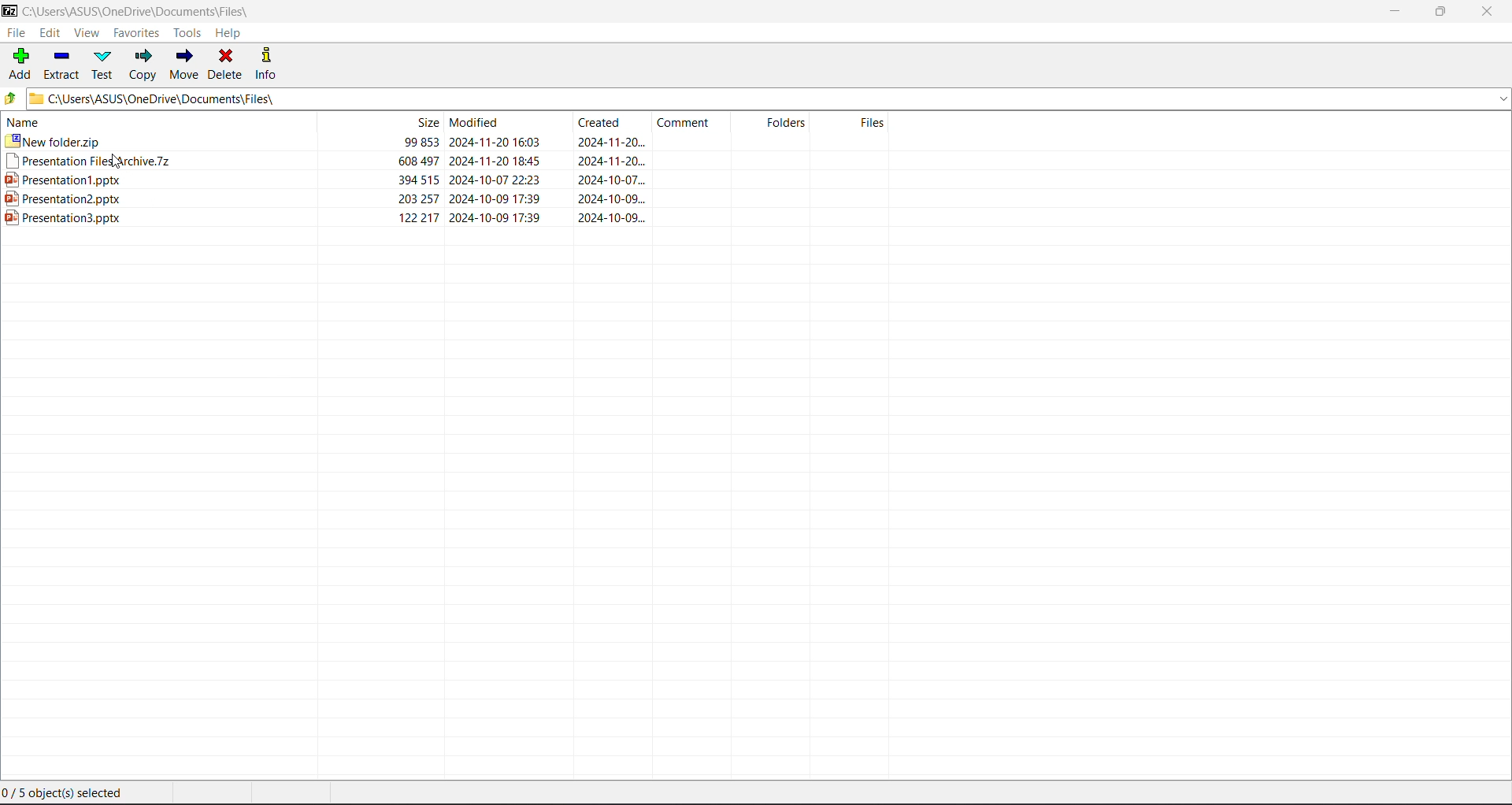 The width and height of the screenshot is (1512, 805). What do you see at coordinates (11, 9) in the screenshot?
I see `Application Logo` at bounding box center [11, 9].